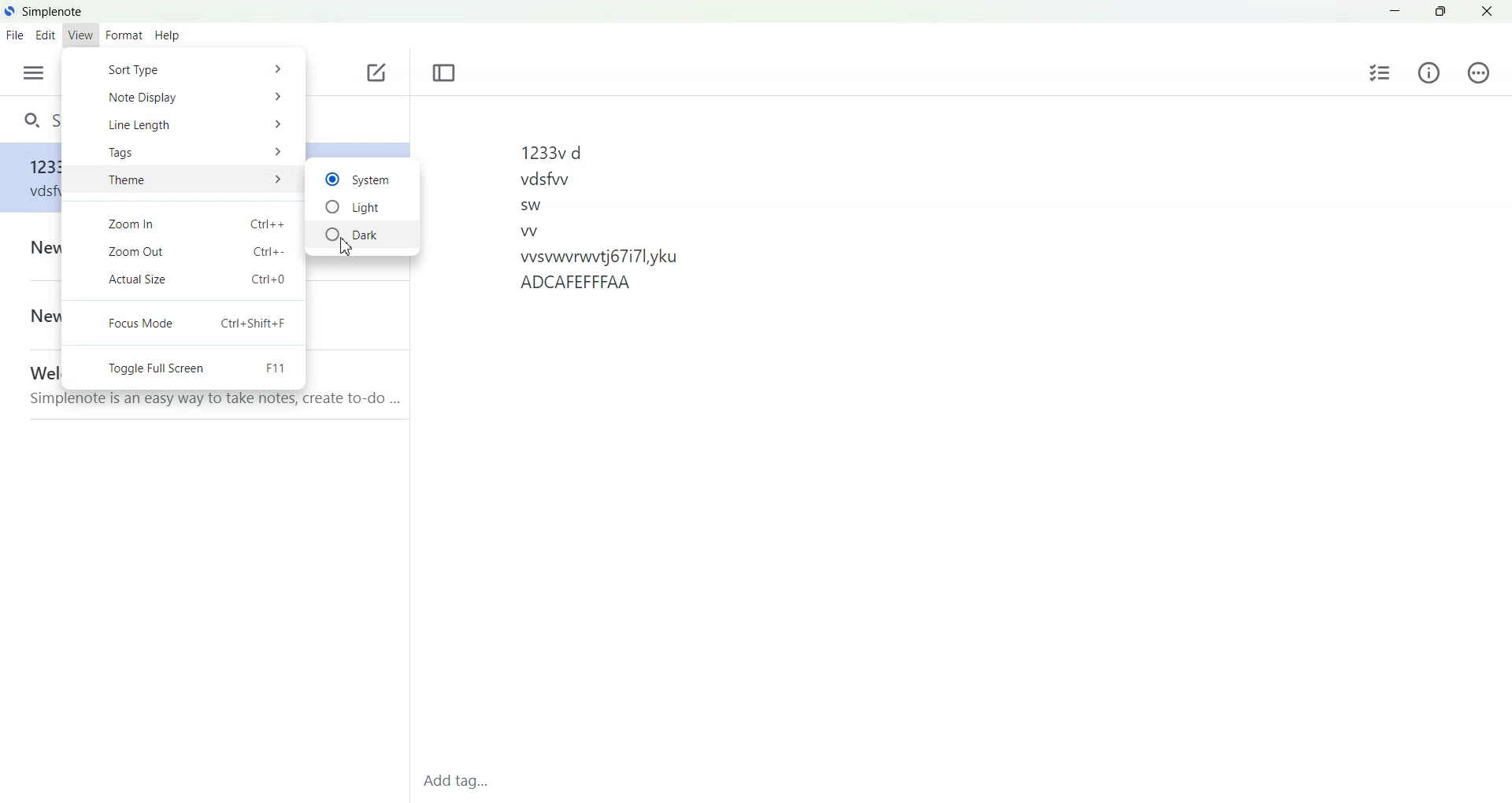 The width and height of the screenshot is (1512, 803). What do you see at coordinates (360, 208) in the screenshot?
I see `Light` at bounding box center [360, 208].